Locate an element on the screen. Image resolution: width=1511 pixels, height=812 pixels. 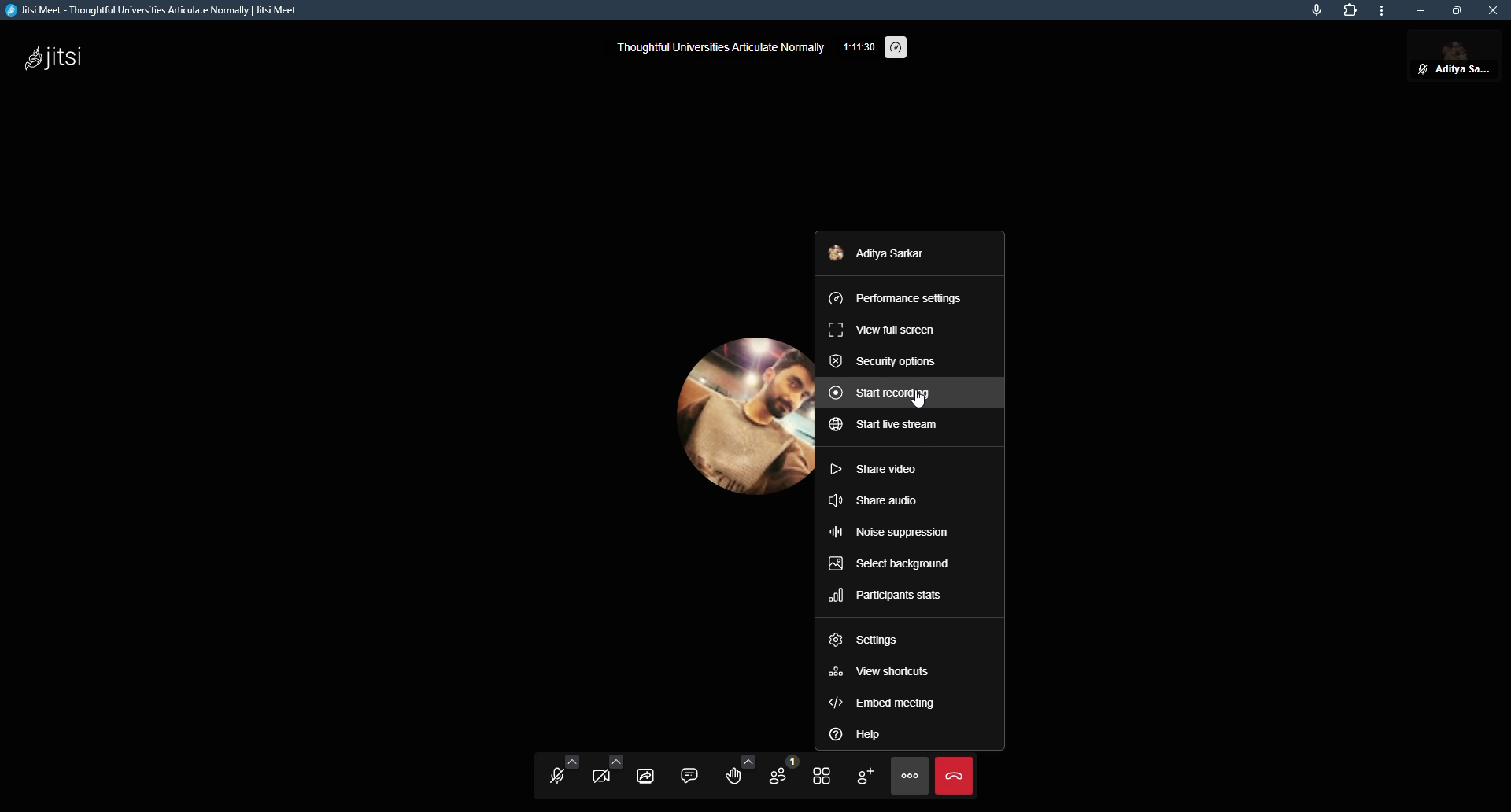
more actions is located at coordinates (911, 777).